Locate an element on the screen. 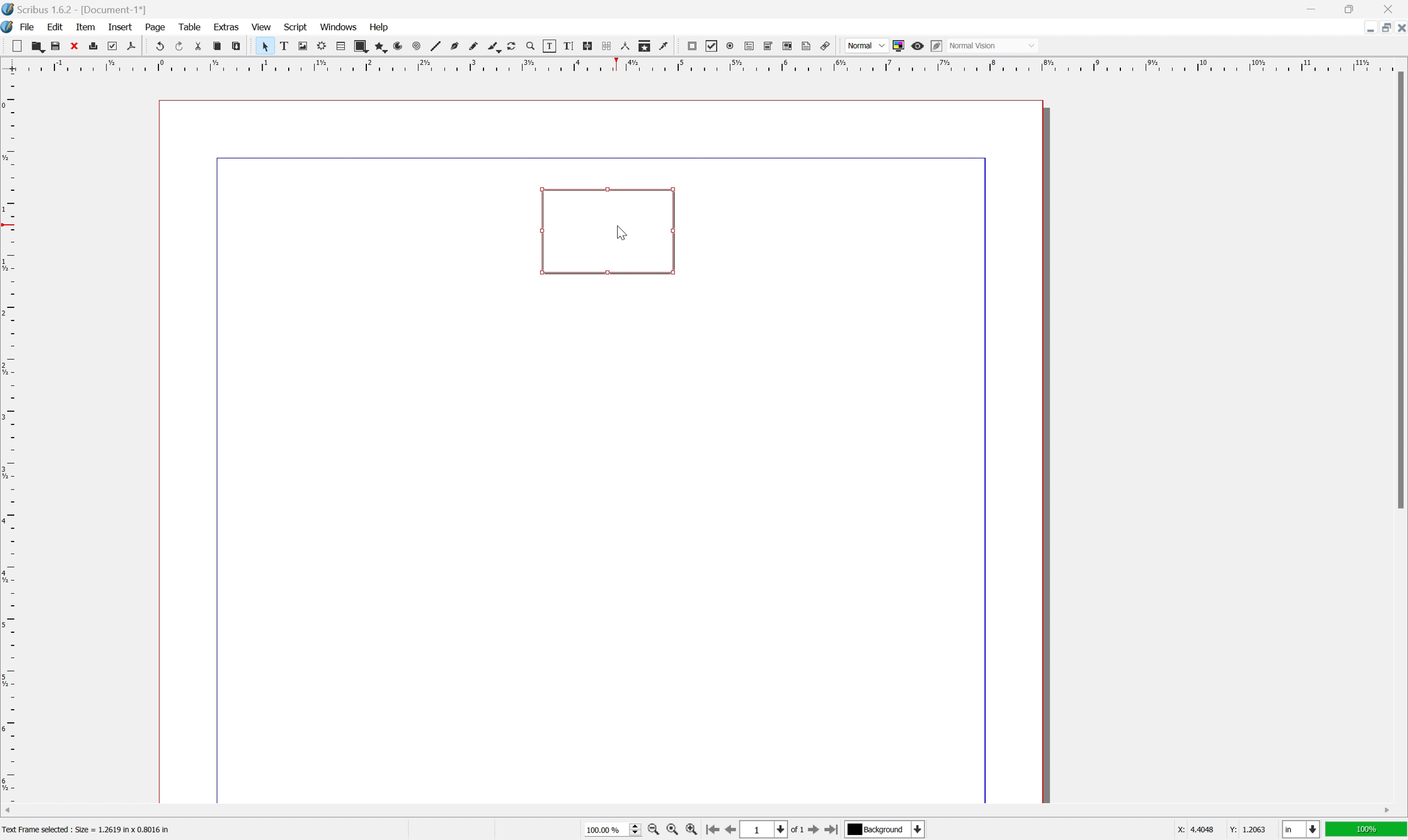 The height and width of the screenshot is (840, 1408). close is located at coordinates (1392, 8).